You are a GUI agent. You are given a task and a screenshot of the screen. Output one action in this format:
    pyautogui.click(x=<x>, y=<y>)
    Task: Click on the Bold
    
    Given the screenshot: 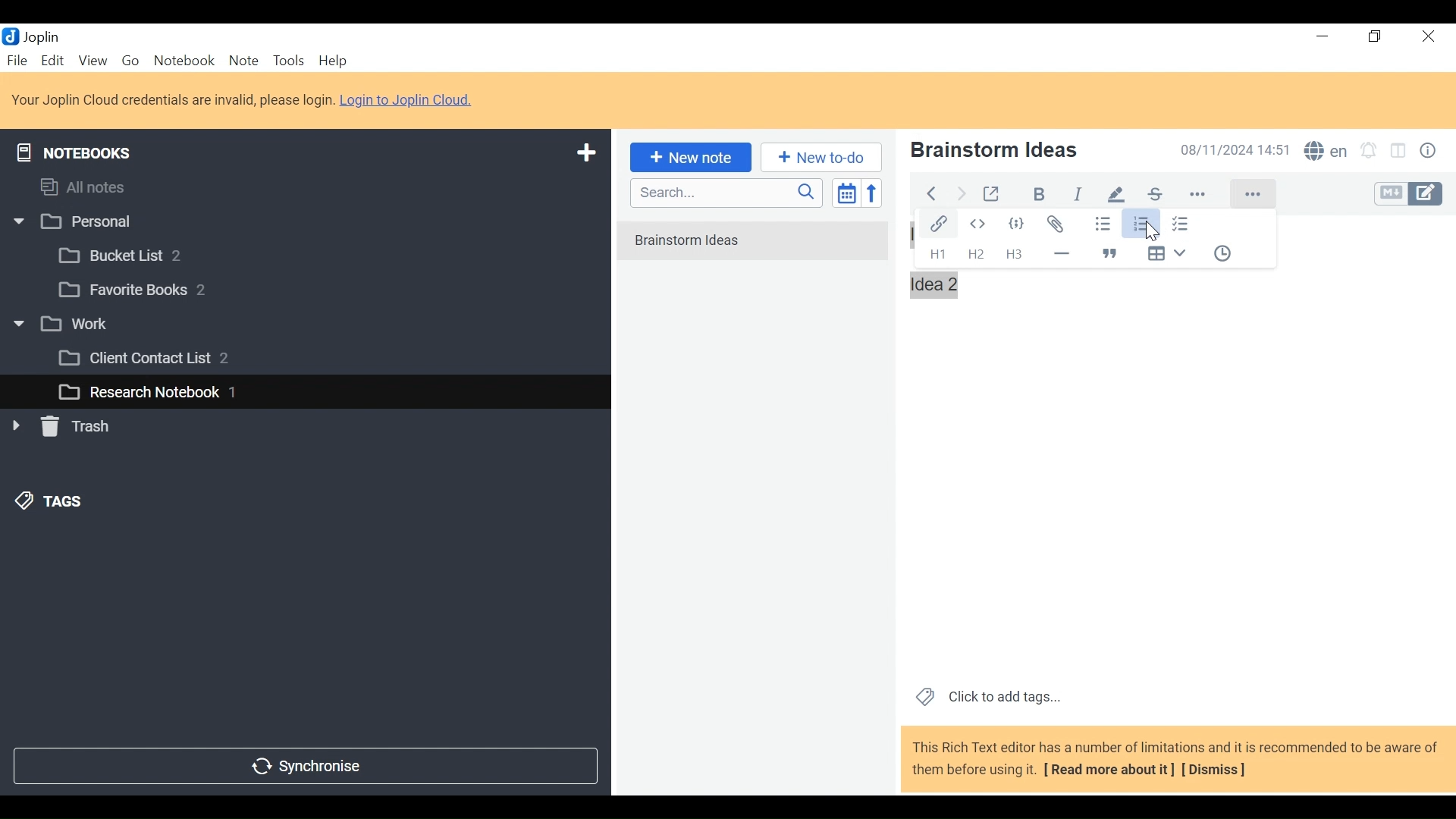 What is the action you would take?
    pyautogui.click(x=1032, y=192)
    